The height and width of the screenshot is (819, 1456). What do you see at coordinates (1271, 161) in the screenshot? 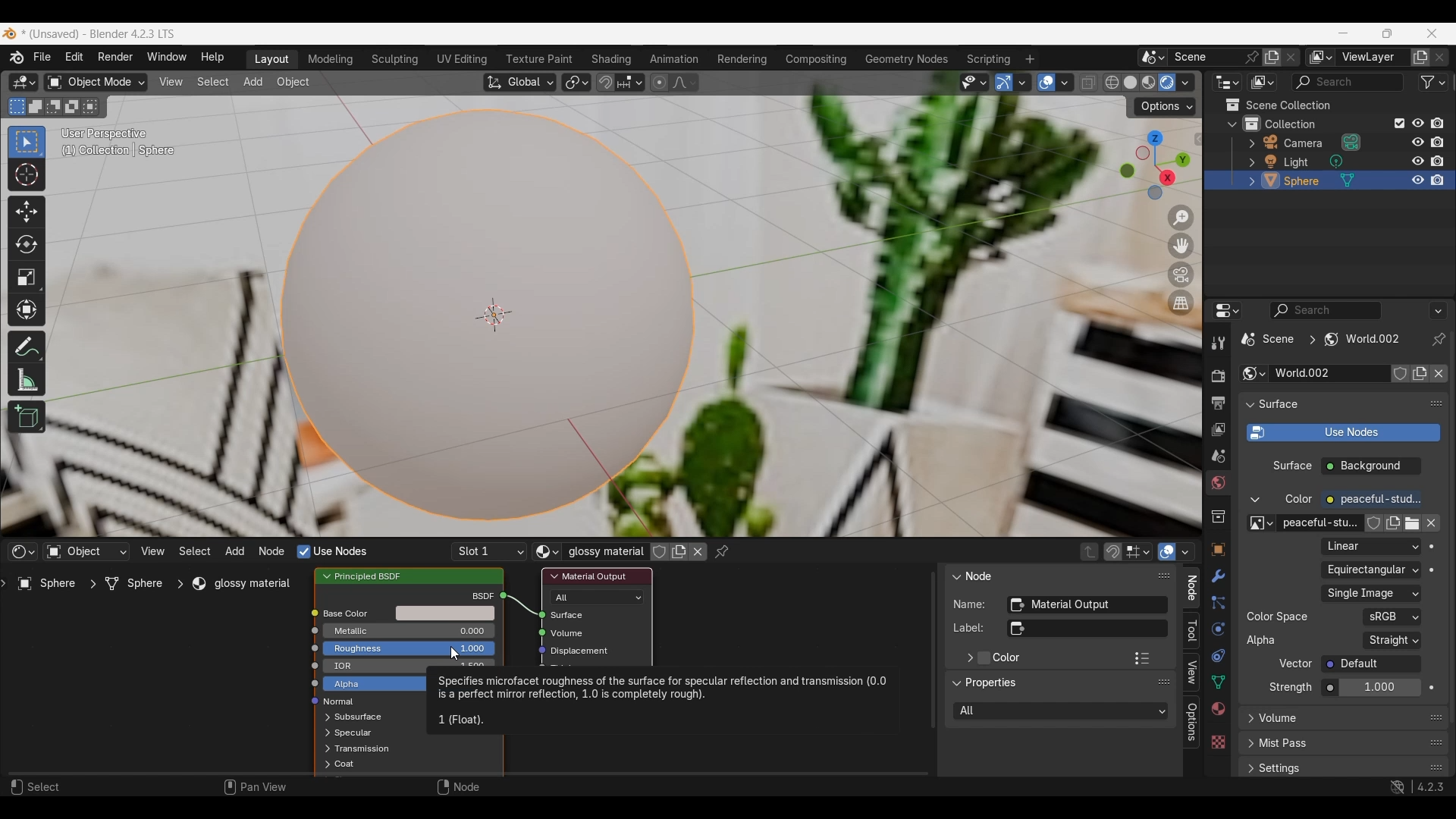
I see `Edit light` at bounding box center [1271, 161].